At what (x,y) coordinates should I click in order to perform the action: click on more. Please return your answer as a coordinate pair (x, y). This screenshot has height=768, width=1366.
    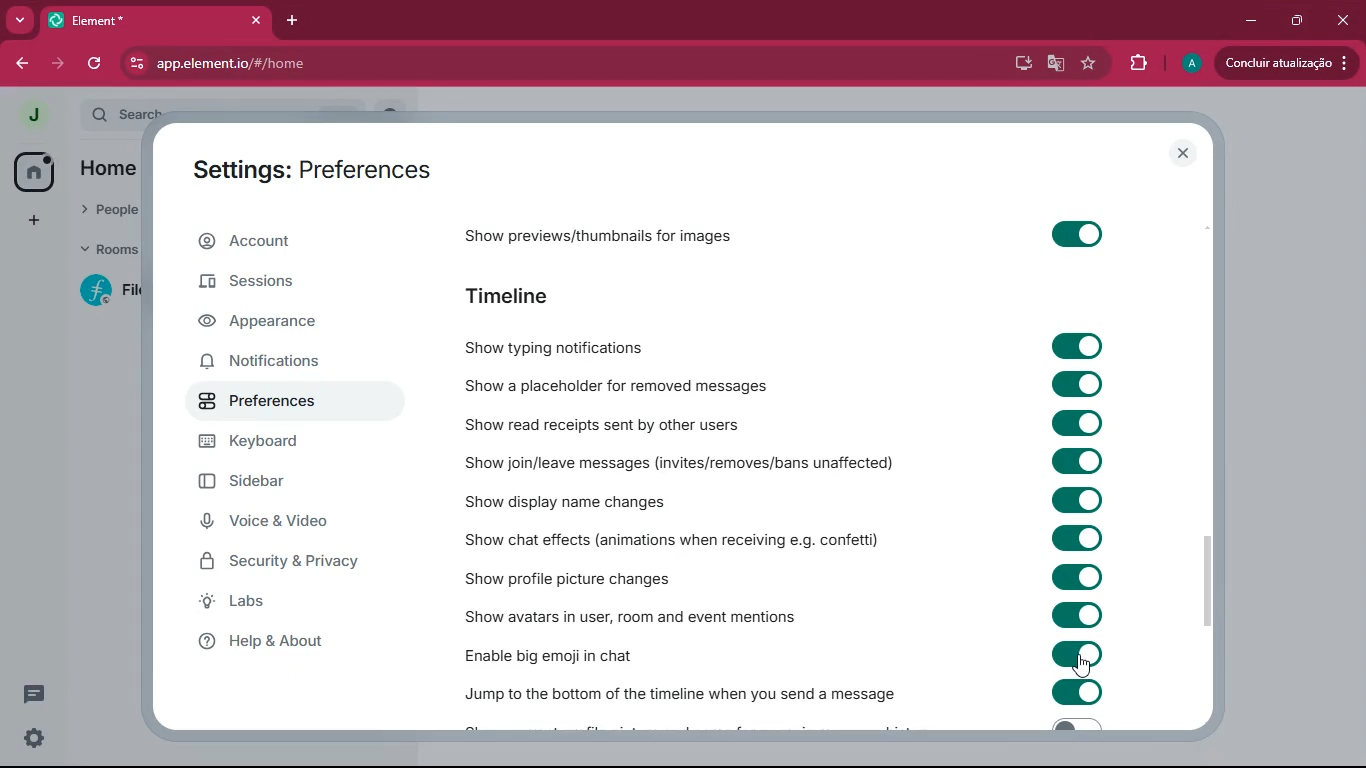
    Looking at the image, I should click on (18, 20).